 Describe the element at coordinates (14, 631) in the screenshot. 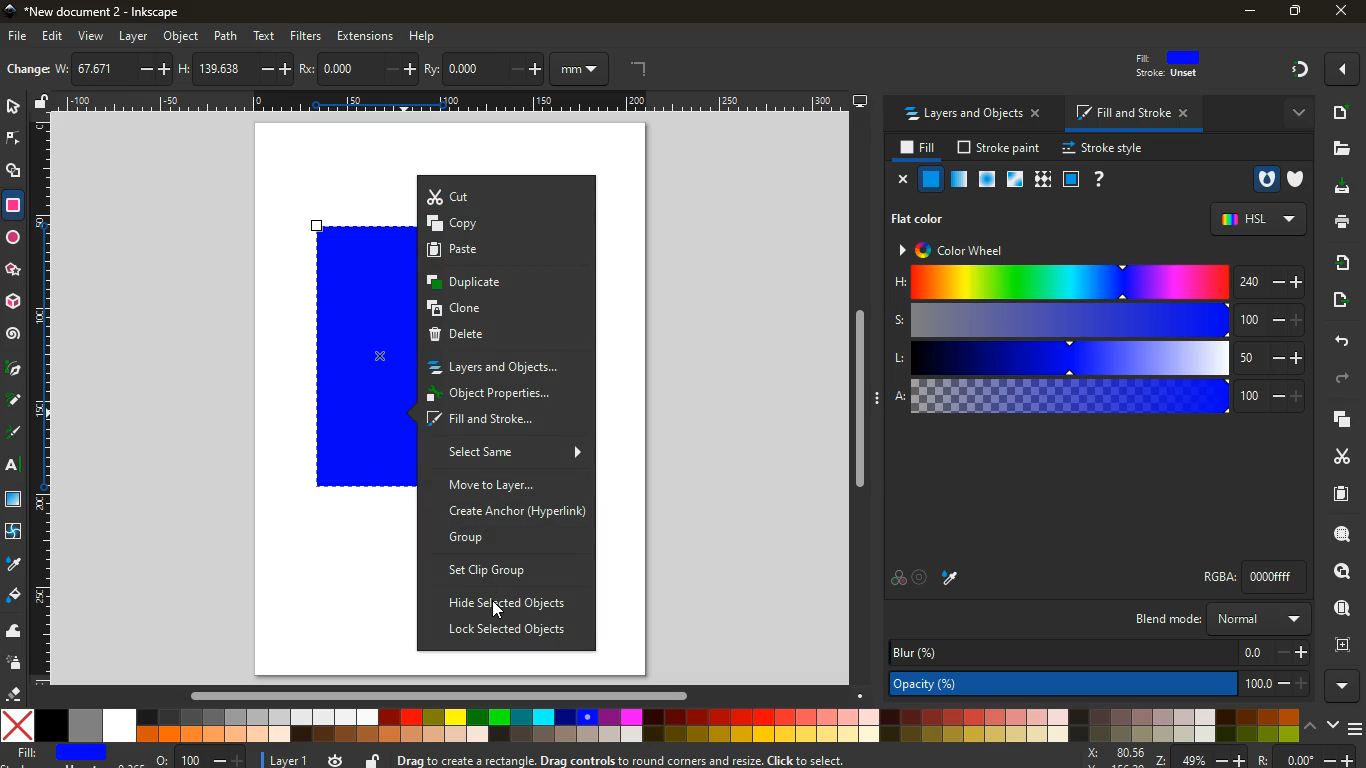

I see `wave` at that location.